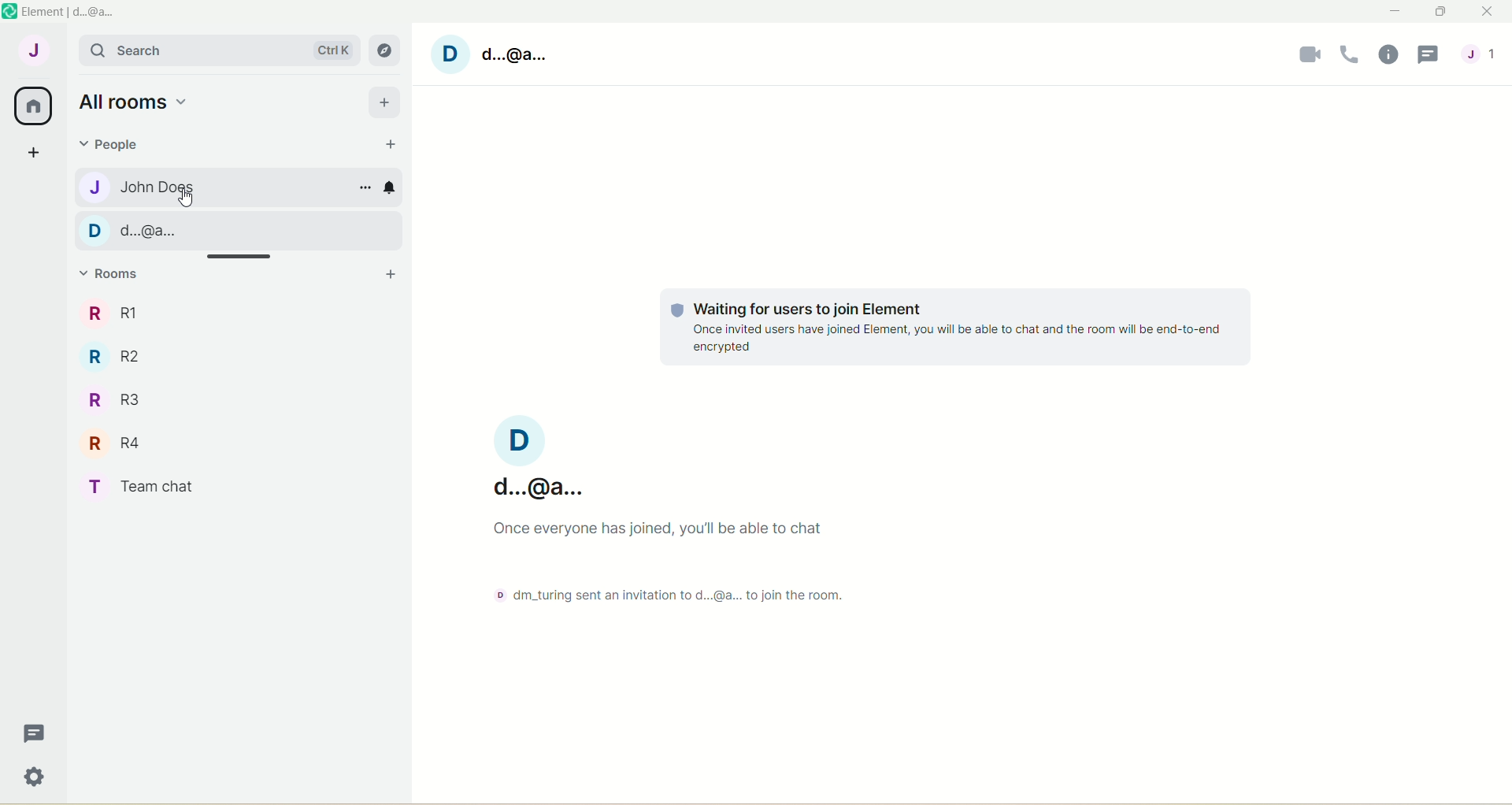 The height and width of the screenshot is (805, 1512). What do you see at coordinates (1487, 53) in the screenshot?
I see `people` at bounding box center [1487, 53].